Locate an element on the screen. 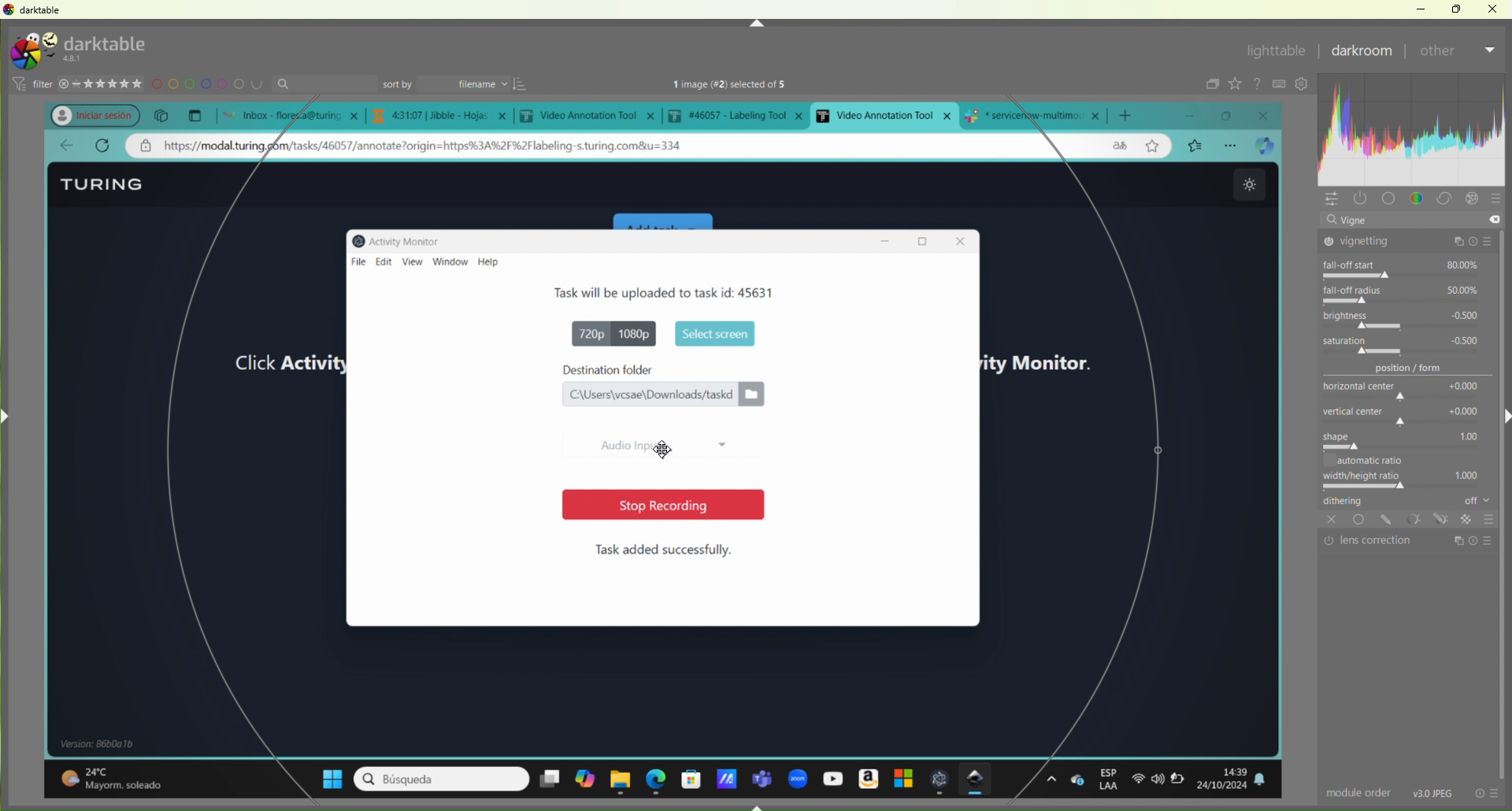 The width and height of the screenshot is (1512, 811). stars is located at coordinates (103, 82).